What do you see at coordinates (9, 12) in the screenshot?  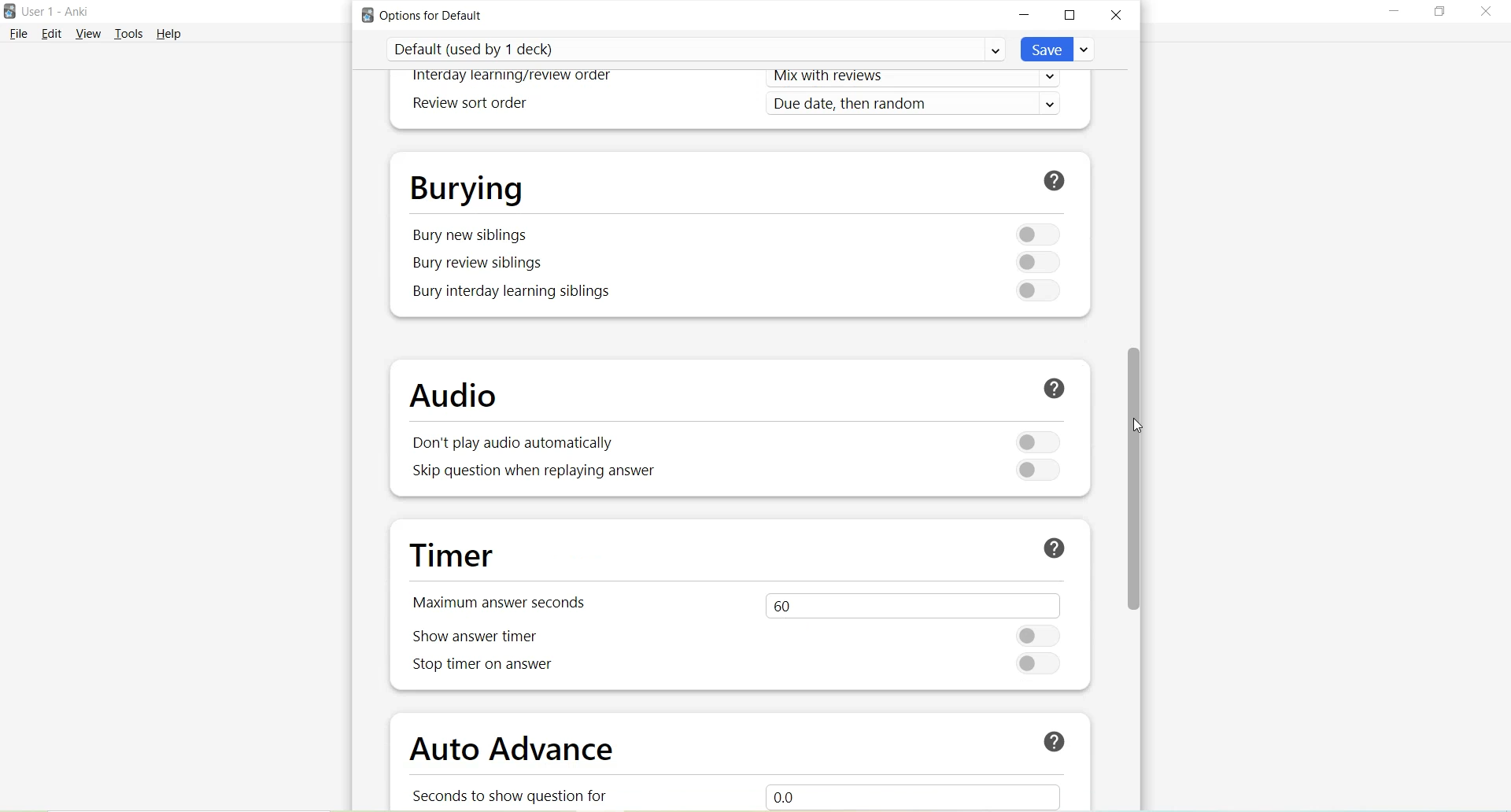 I see `Logo` at bounding box center [9, 12].